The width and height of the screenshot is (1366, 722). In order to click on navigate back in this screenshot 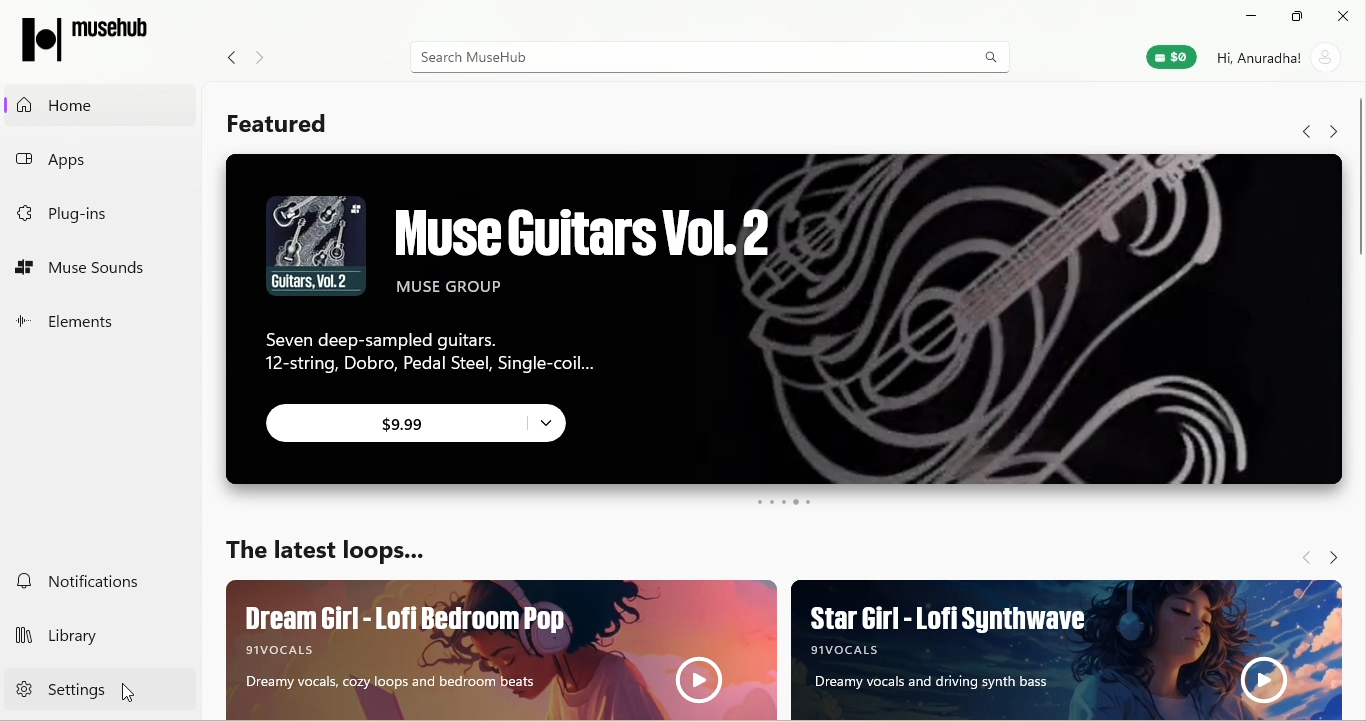, I will do `click(1302, 126)`.